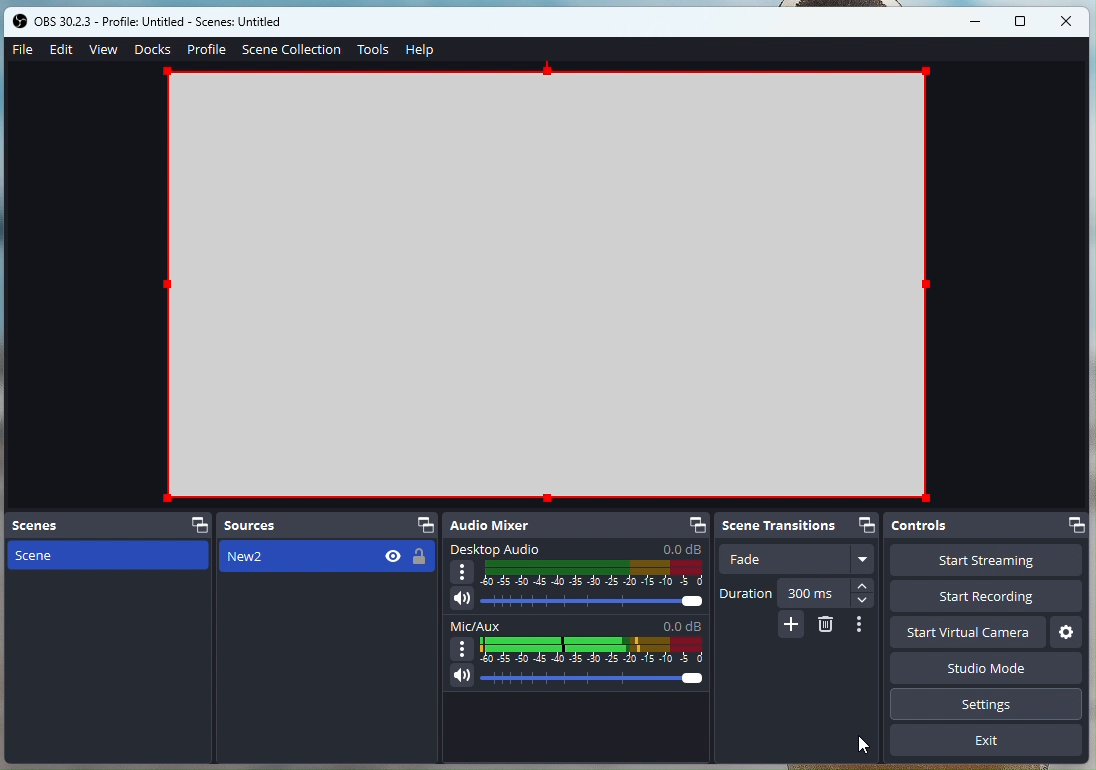 The height and width of the screenshot is (770, 1096). What do you see at coordinates (864, 743) in the screenshot?
I see `cursor` at bounding box center [864, 743].